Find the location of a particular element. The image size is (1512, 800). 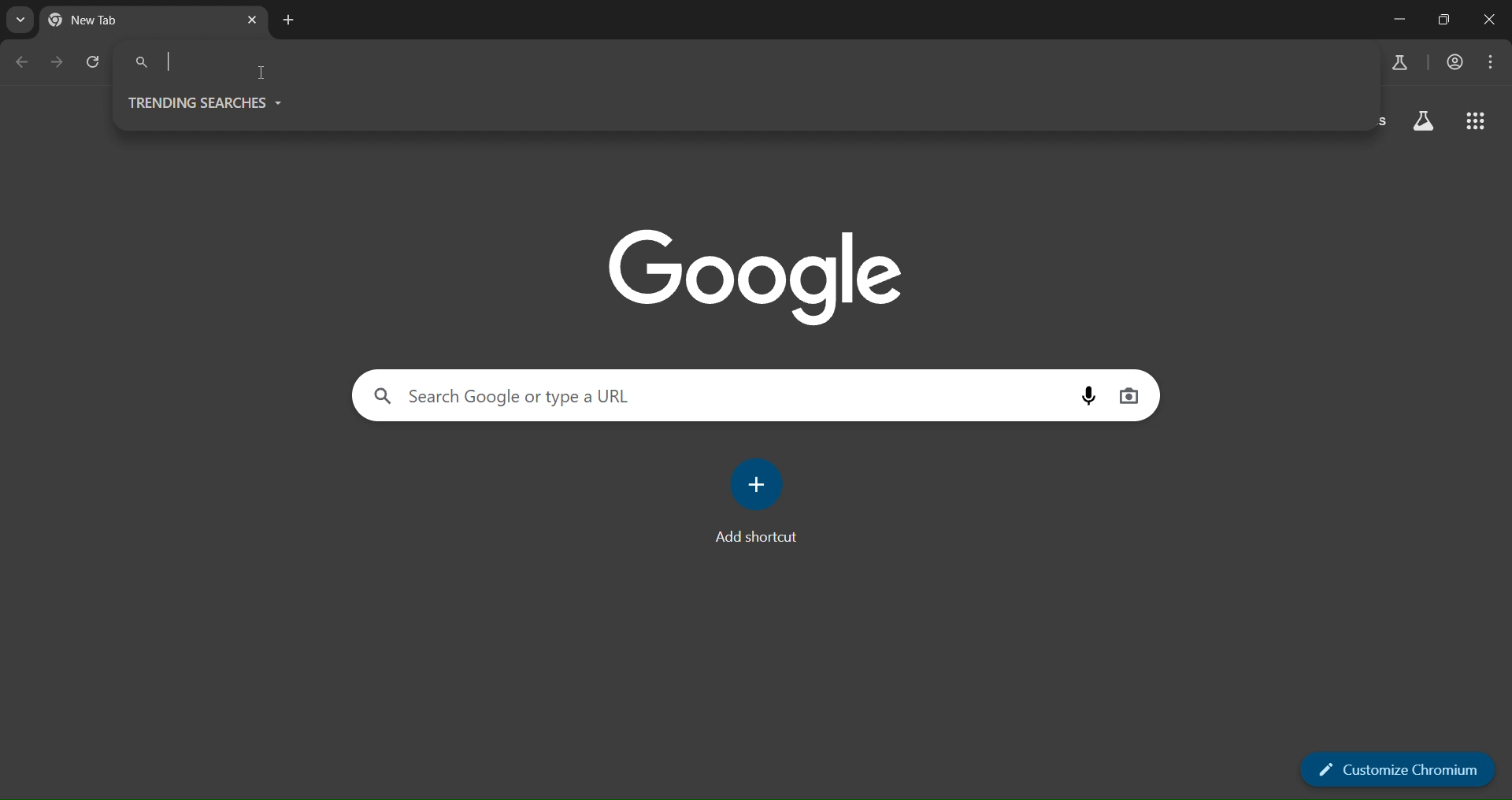

reload is located at coordinates (91, 61).